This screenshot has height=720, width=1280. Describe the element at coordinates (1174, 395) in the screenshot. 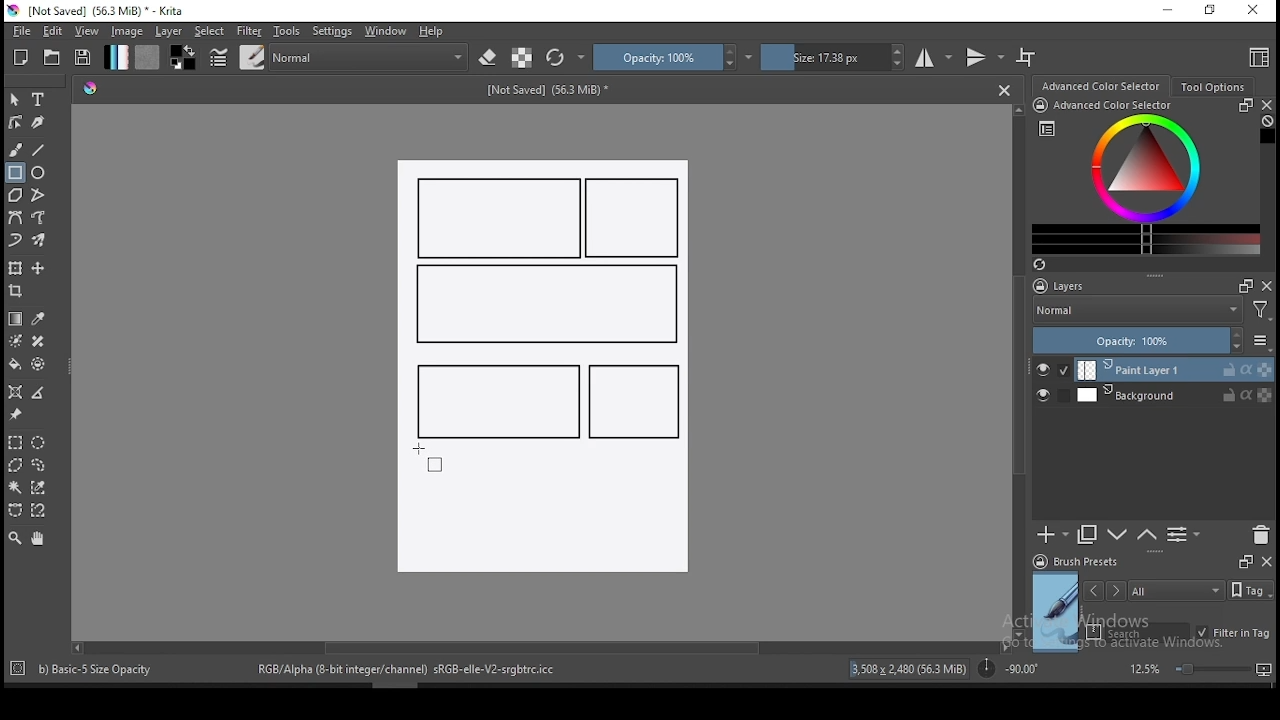

I see `layer` at that location.